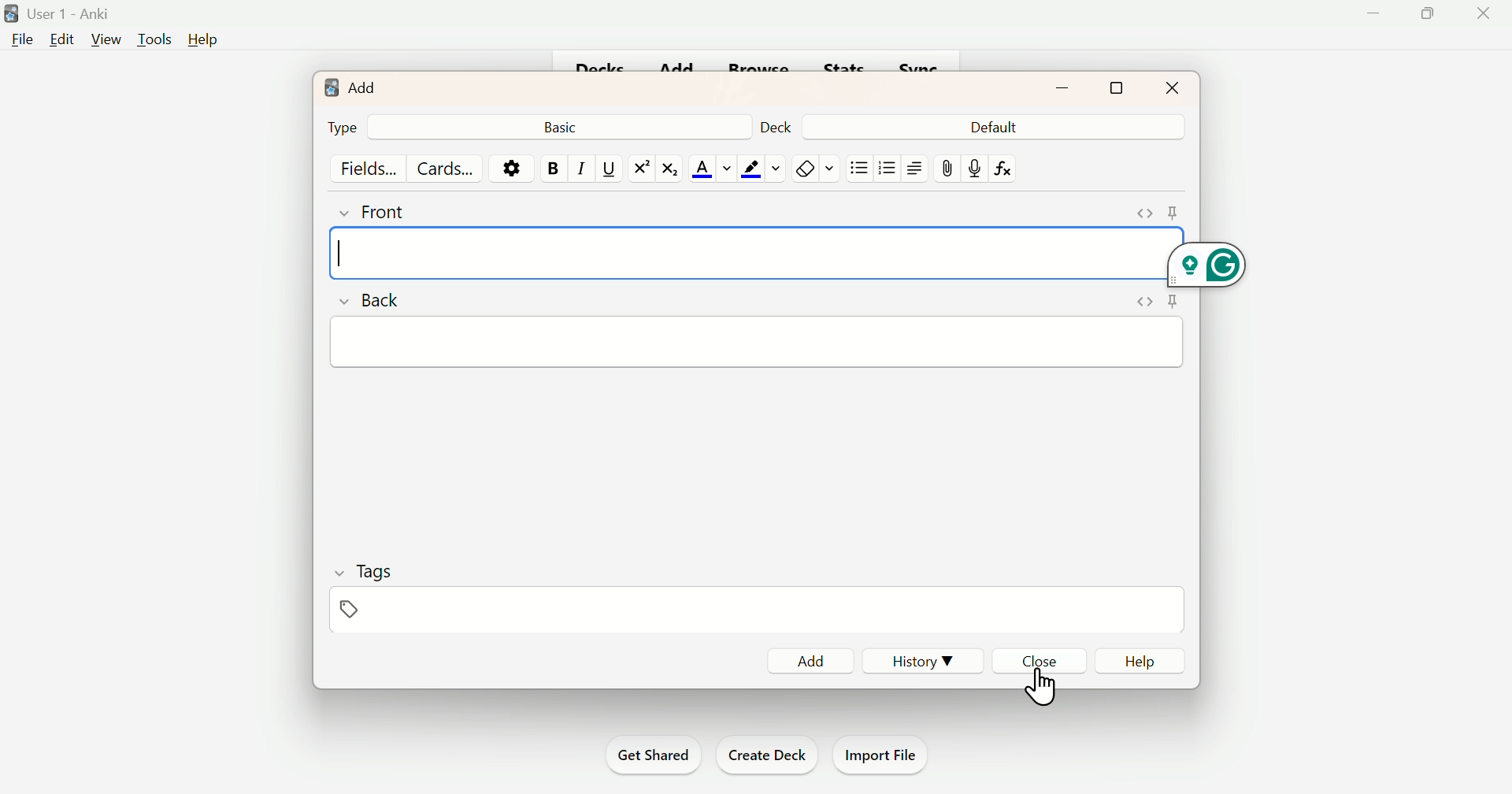 The width and height of the screenshot is (1512, 794). I want to click on Type, so click(343, 126).